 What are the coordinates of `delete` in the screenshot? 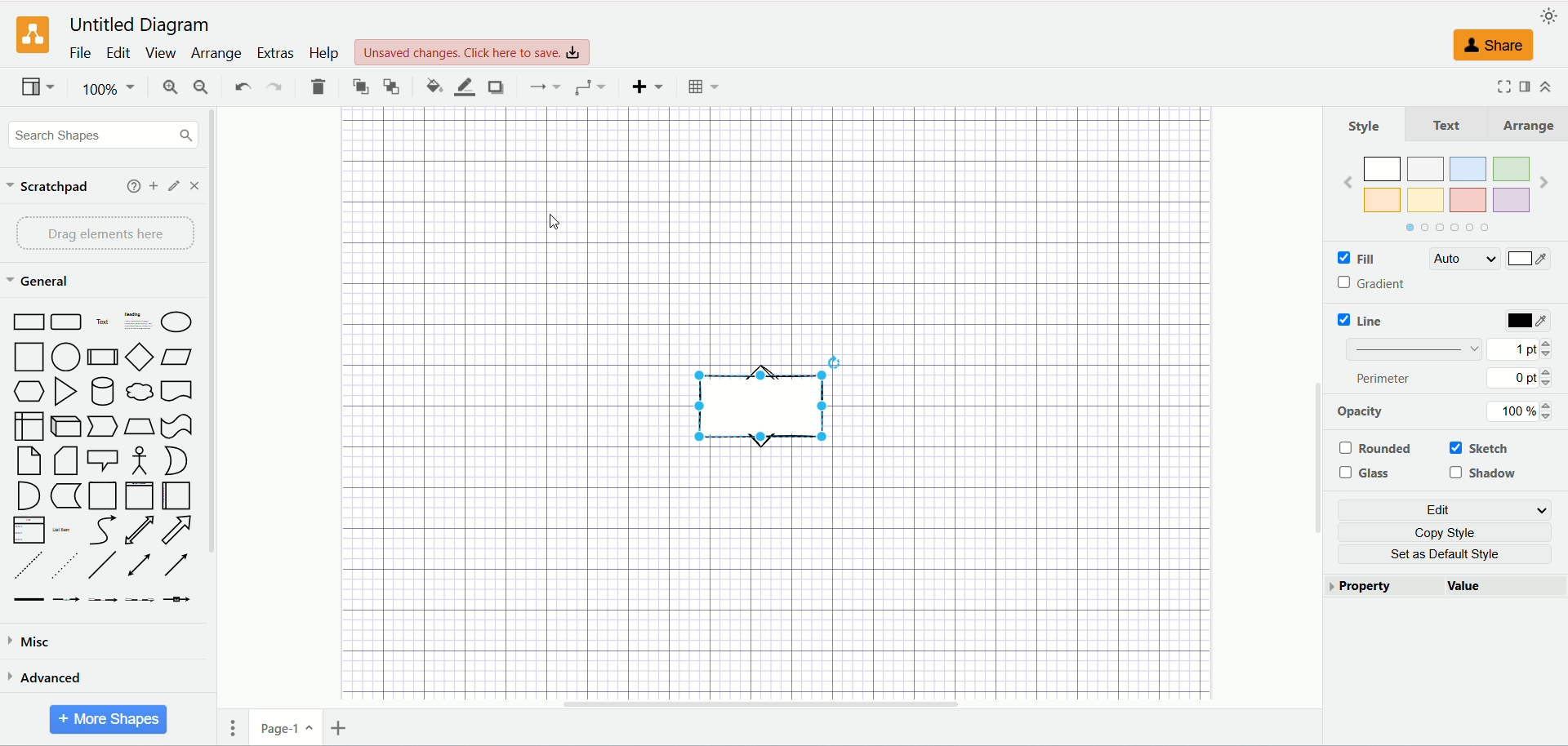 It's located at (319, 87).